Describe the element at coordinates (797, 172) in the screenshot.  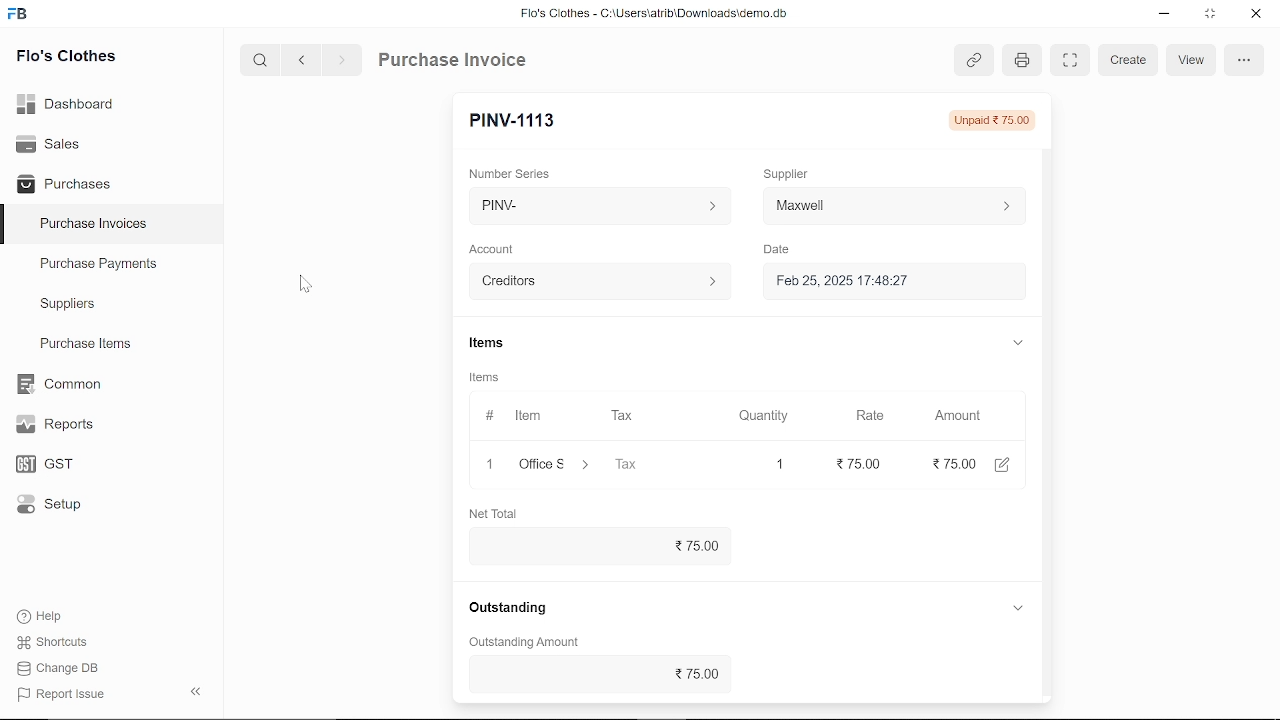
I see `Supplier` at that location.